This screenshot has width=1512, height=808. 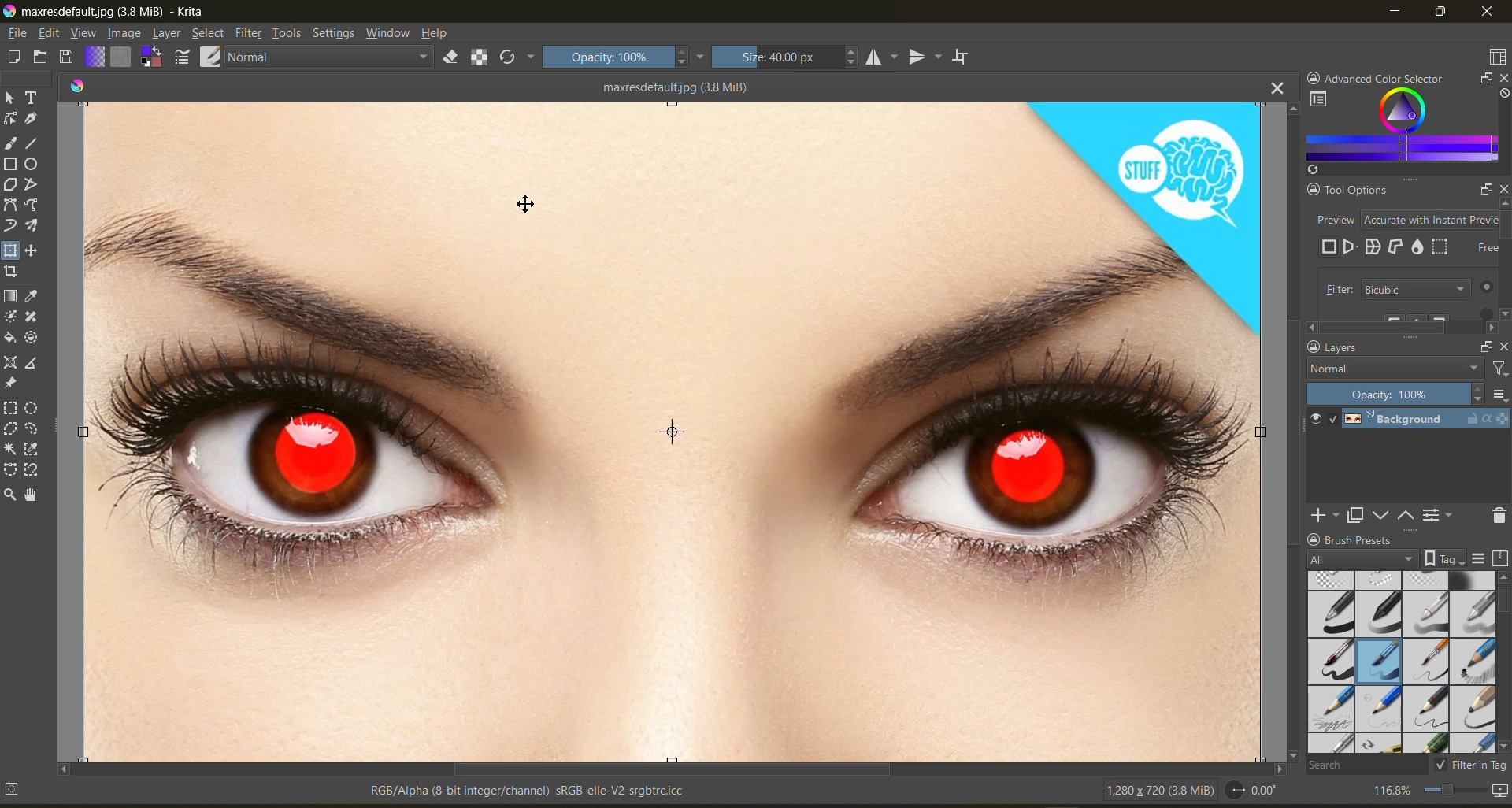 I want to click on tool, so click(x=11, y=409).